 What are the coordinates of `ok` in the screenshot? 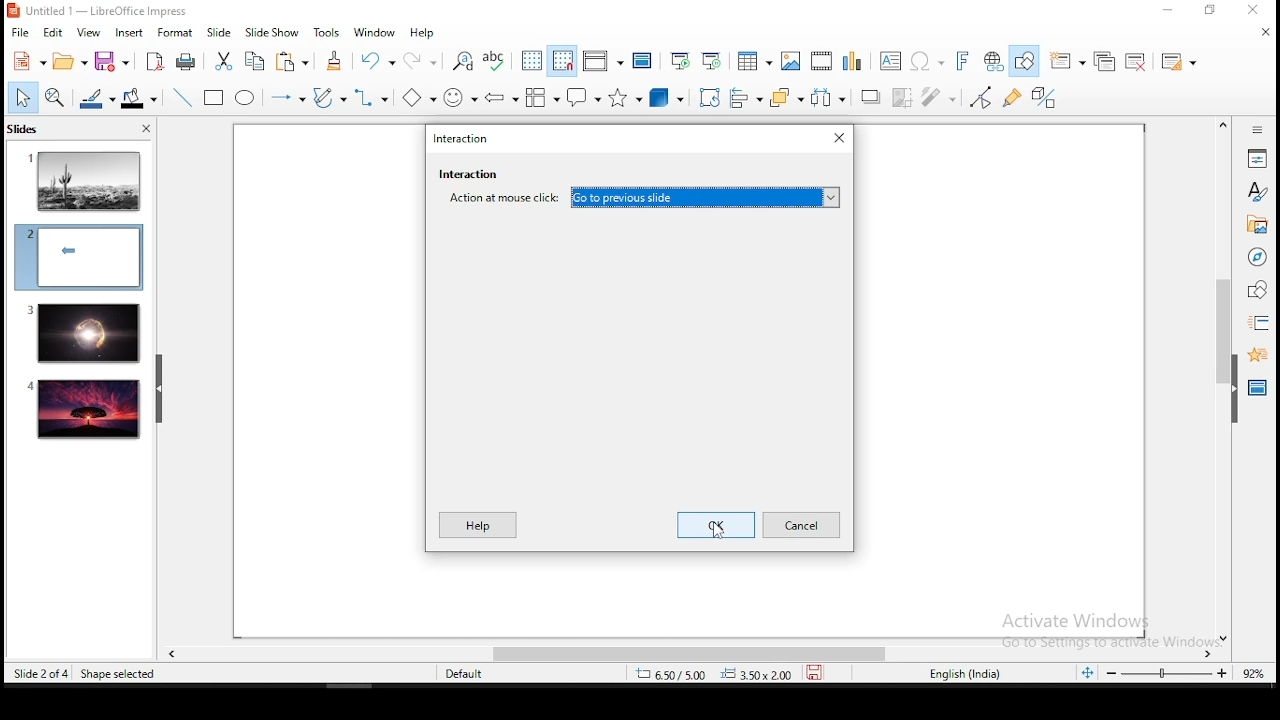 It's located at (716, 525).